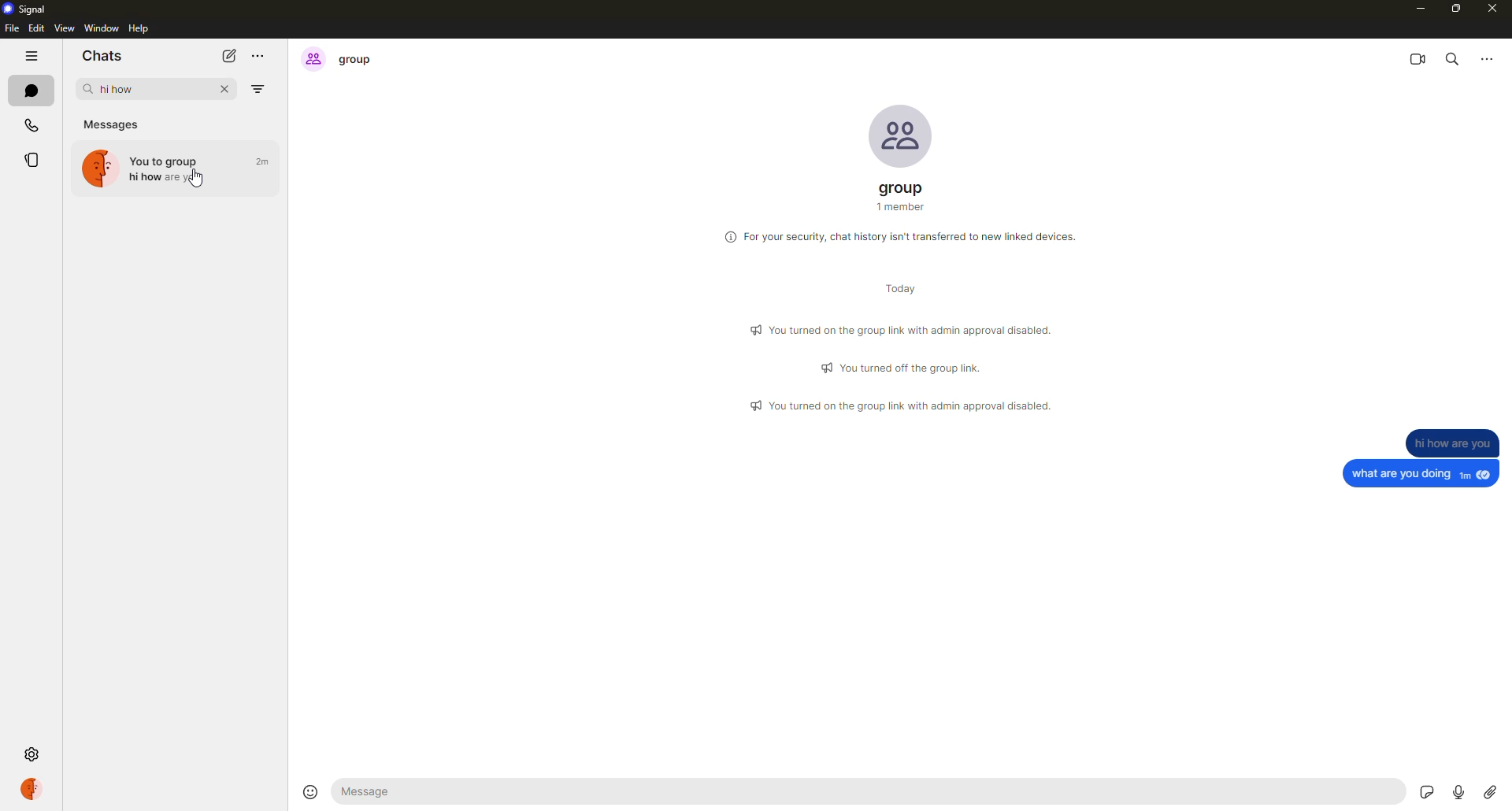 This screenshot has height=811, width=1512. Describe the element at coordinates (1485, 57) in the screenshot. I see `more` at that location.